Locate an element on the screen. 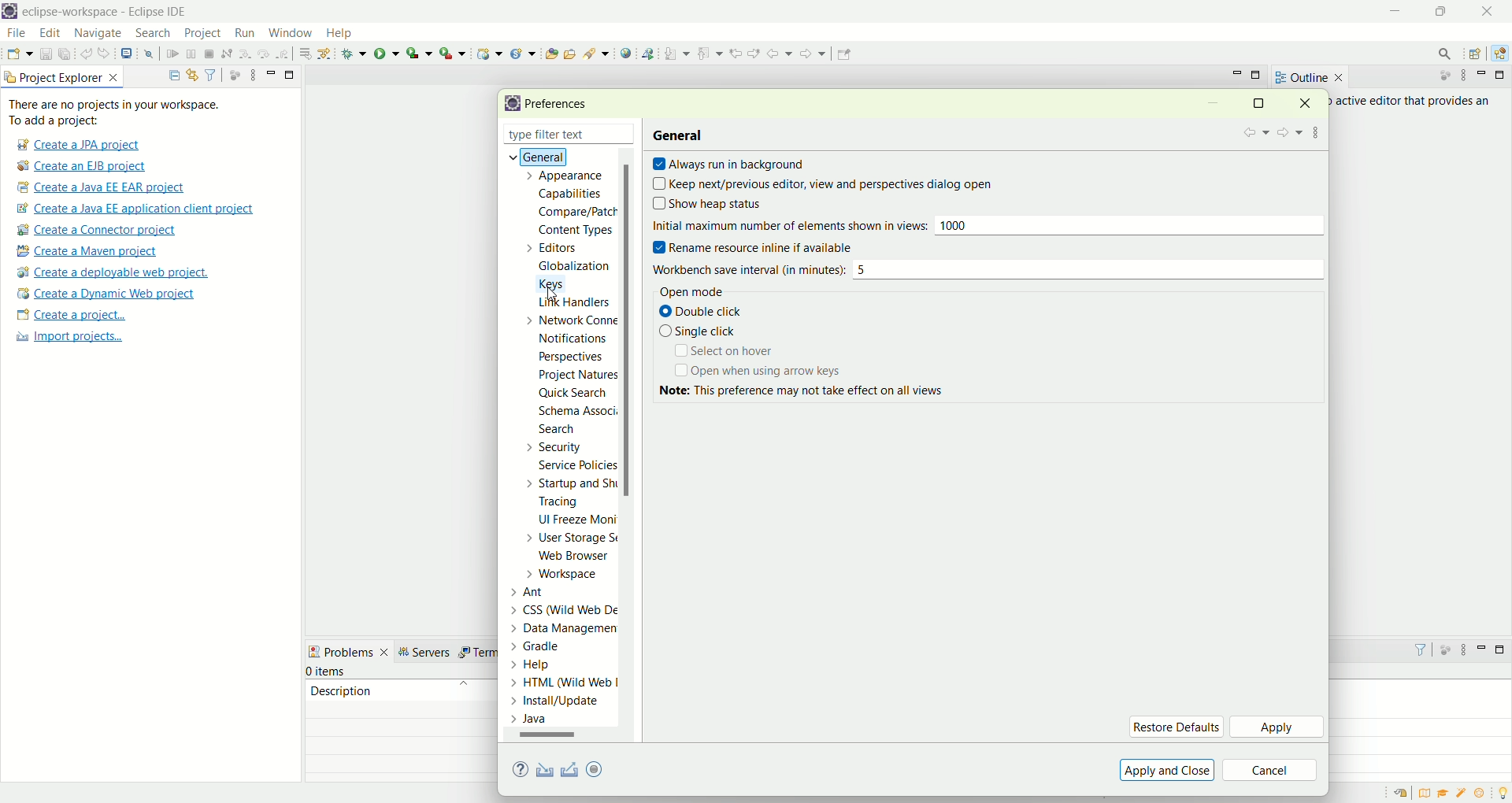  minimize is located at coordinates (1397, 12).